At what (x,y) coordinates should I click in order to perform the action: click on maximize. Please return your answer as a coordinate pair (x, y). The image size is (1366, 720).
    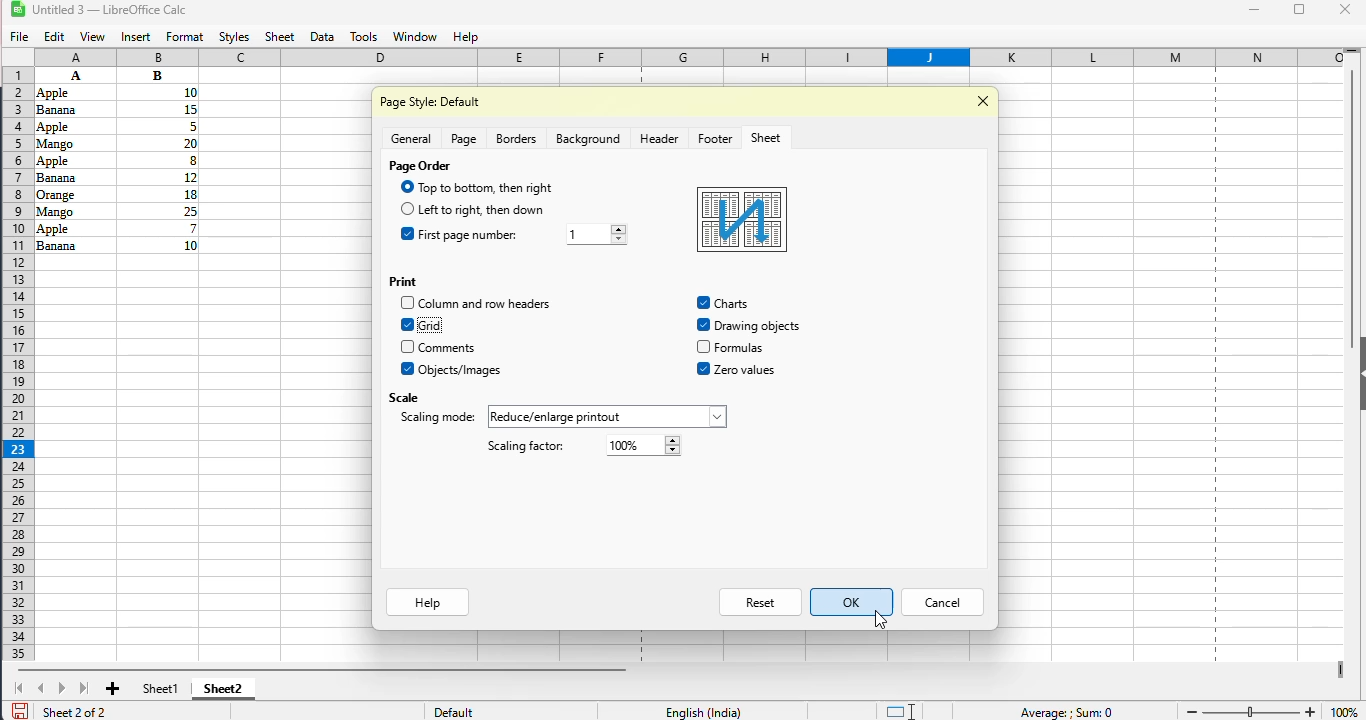
    Looking at the image, I should click on (1301, 9).